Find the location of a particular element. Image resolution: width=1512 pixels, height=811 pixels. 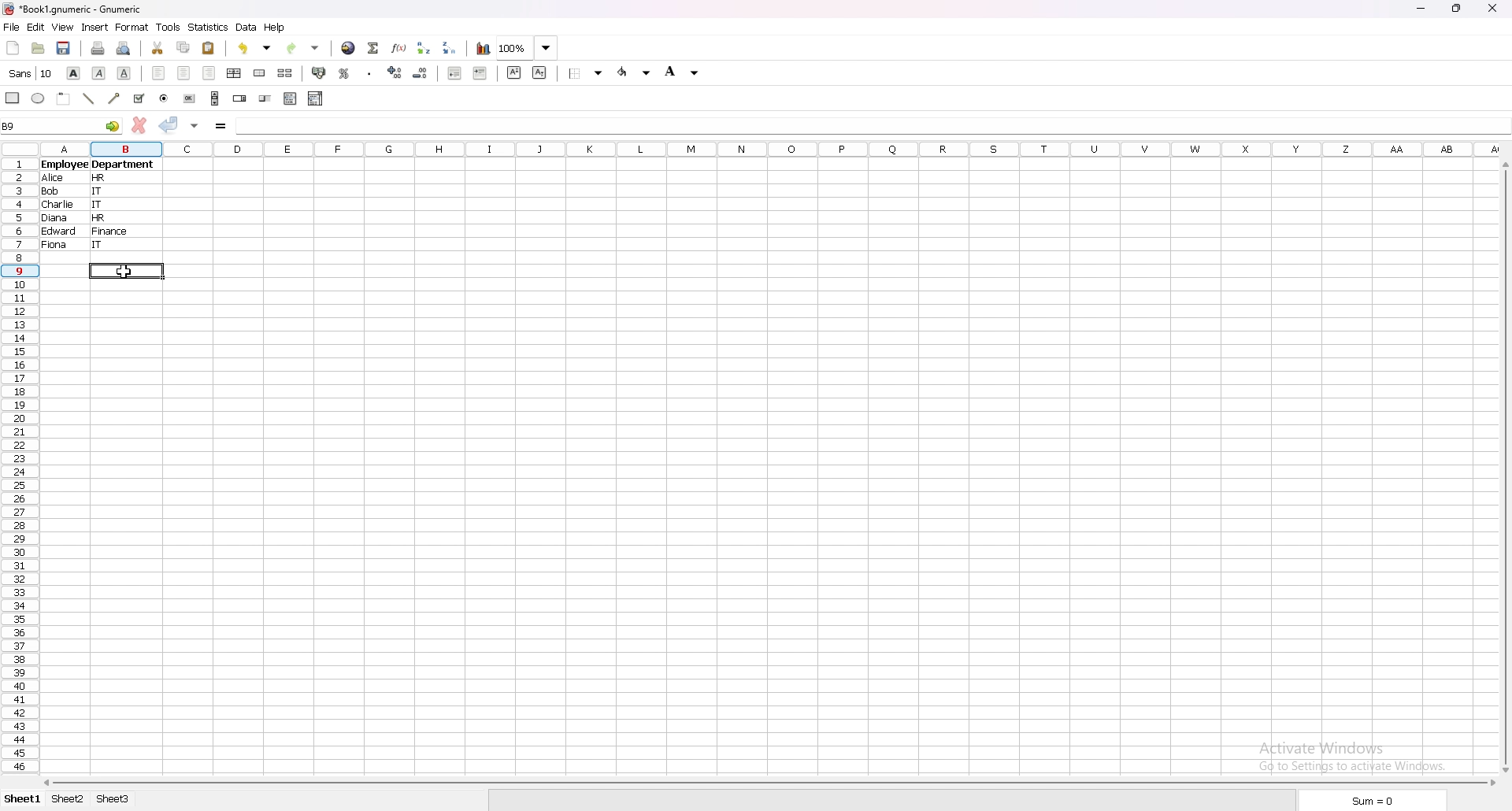

tools is located at coordinates (169, 27).